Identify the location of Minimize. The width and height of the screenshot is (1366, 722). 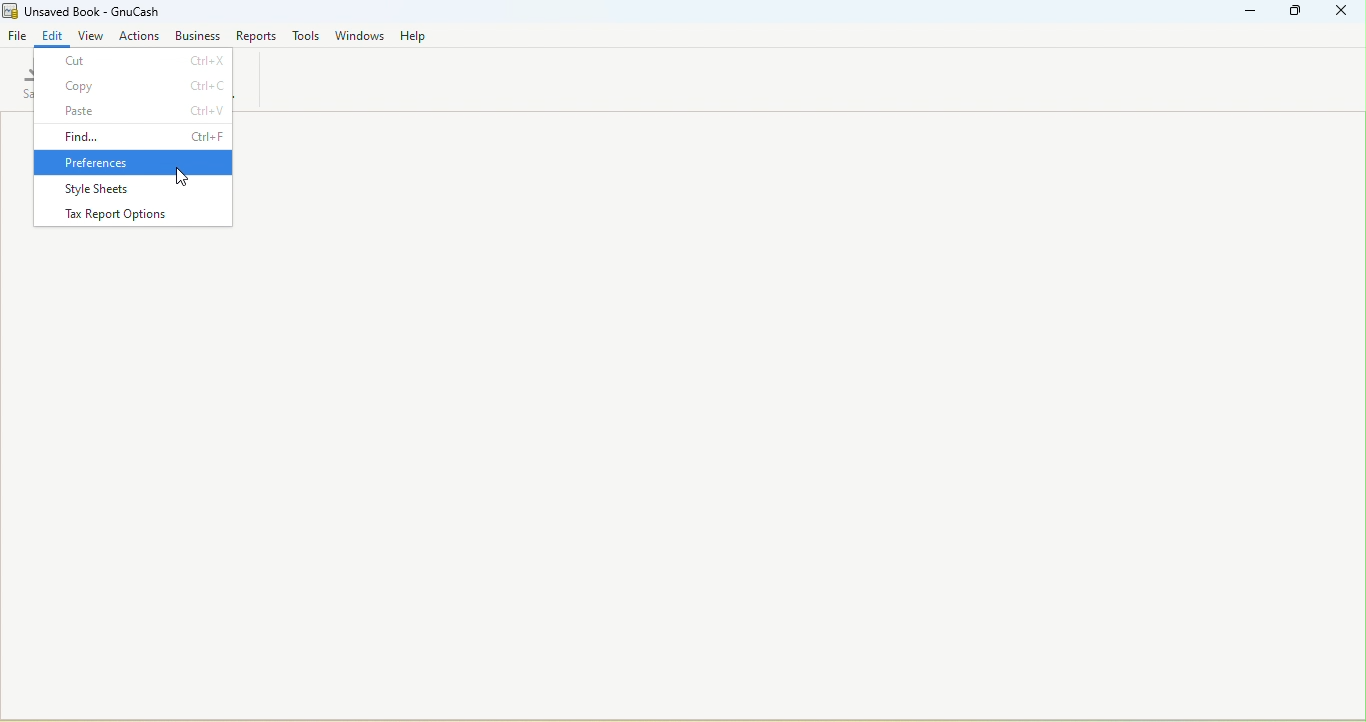
(1252, 15).